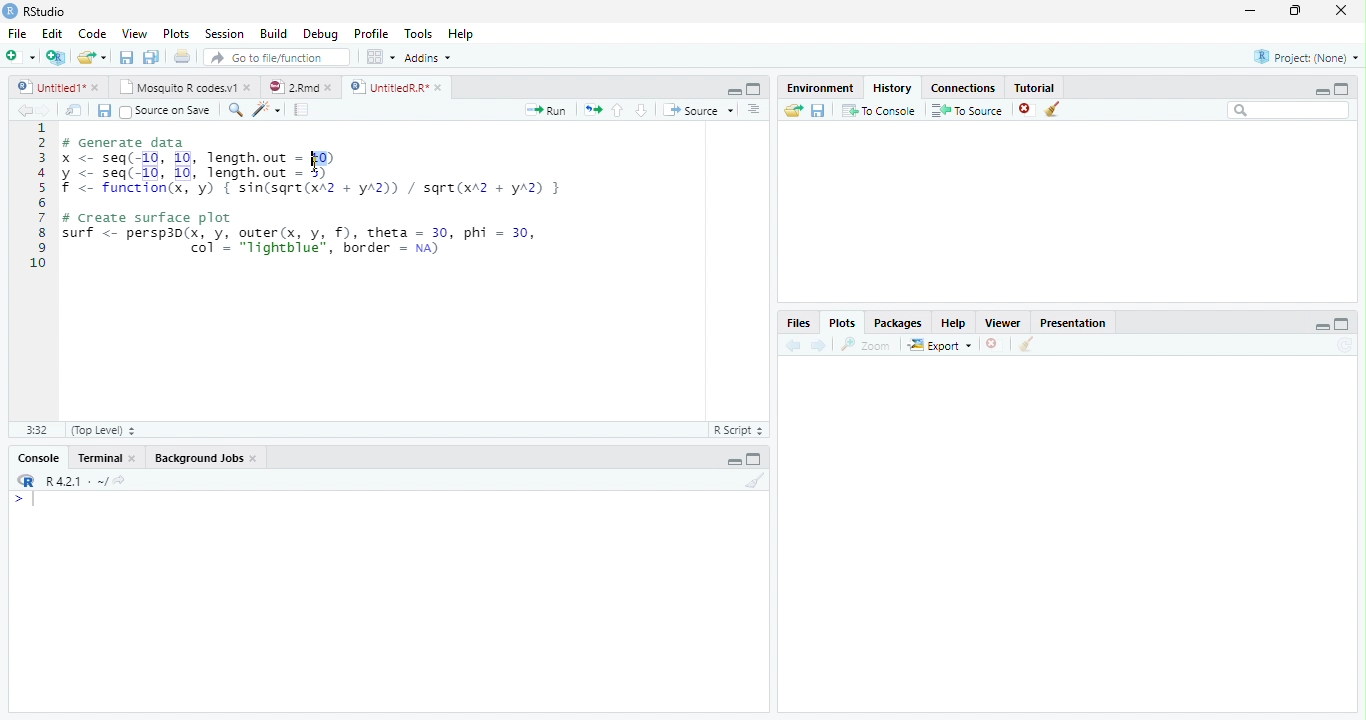 The image size is (1366, 720). I want to click on Addins, so click(428, 58).